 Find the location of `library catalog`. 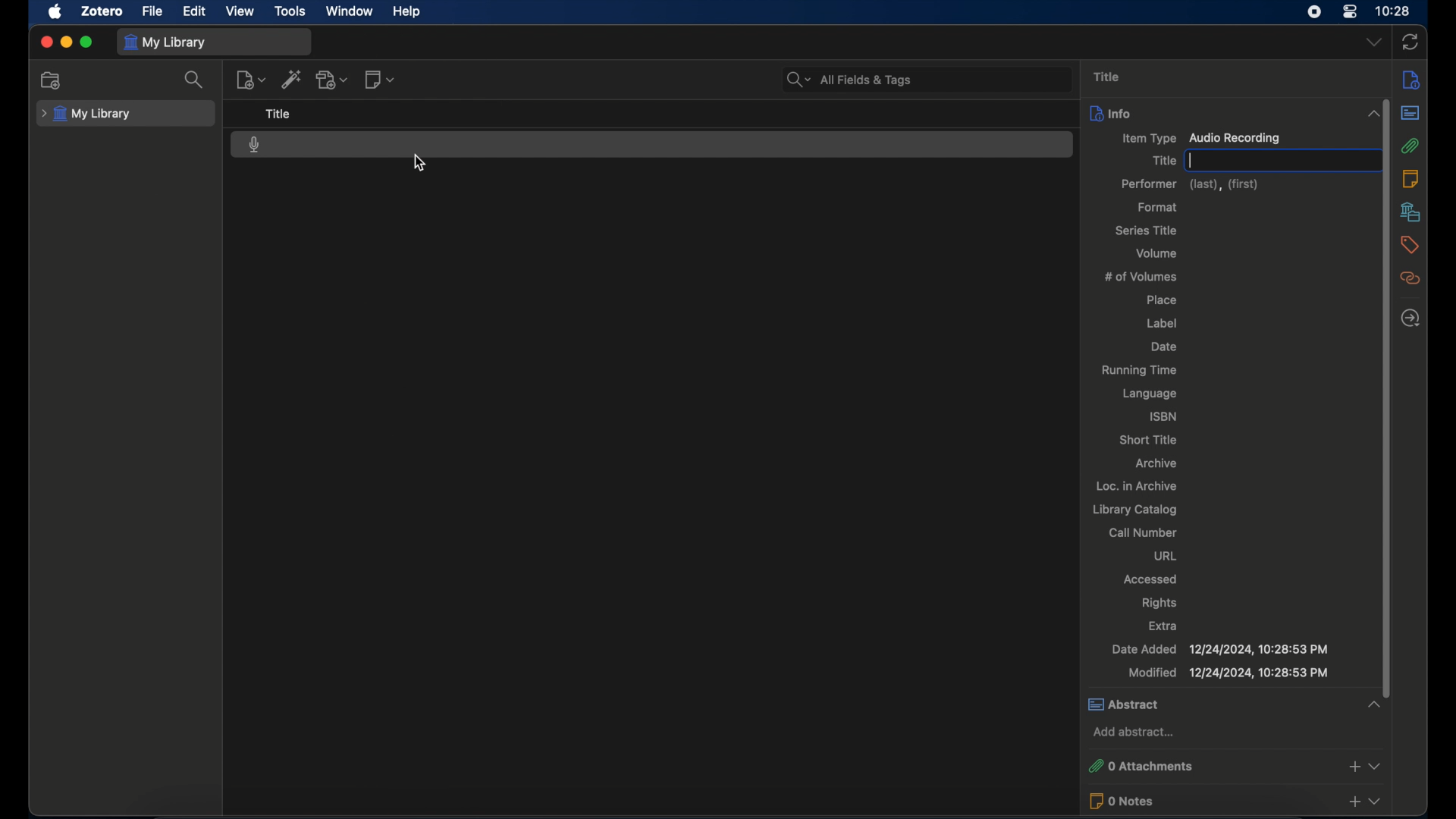

library catalog is located at coordinates (1136, 510).